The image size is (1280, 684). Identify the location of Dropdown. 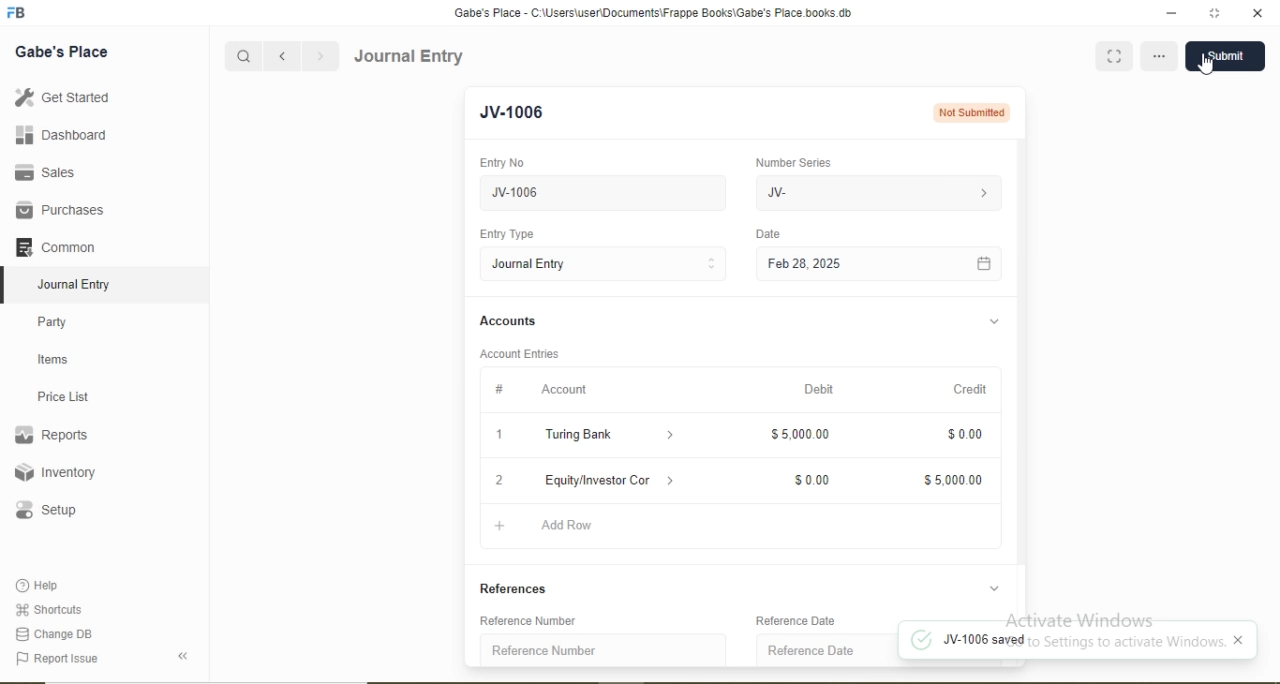
(994, 588).